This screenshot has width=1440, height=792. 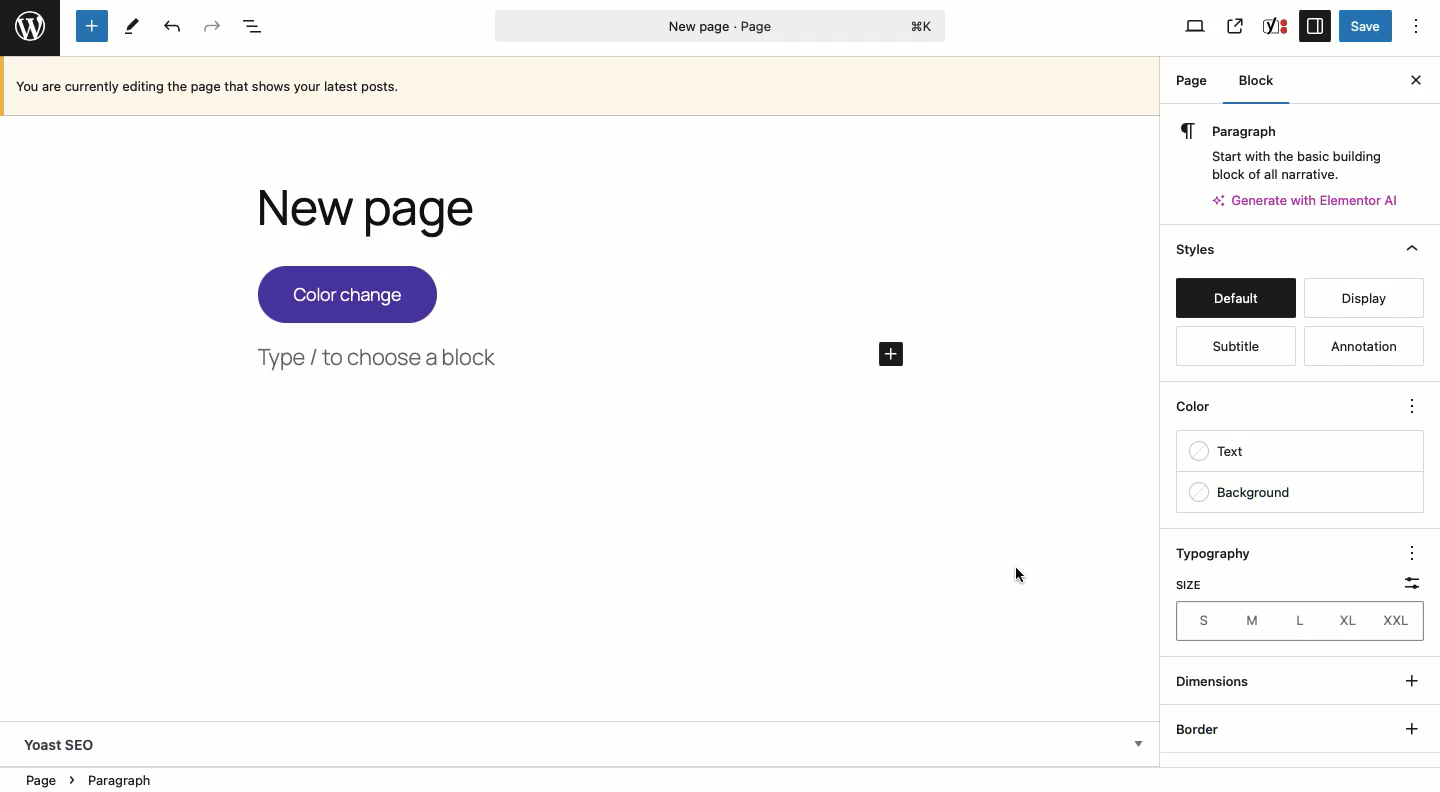 What do you see at coordinates (1223, 554) in the screenshot?
I see `Typography` at bounding box center [1223, 554].